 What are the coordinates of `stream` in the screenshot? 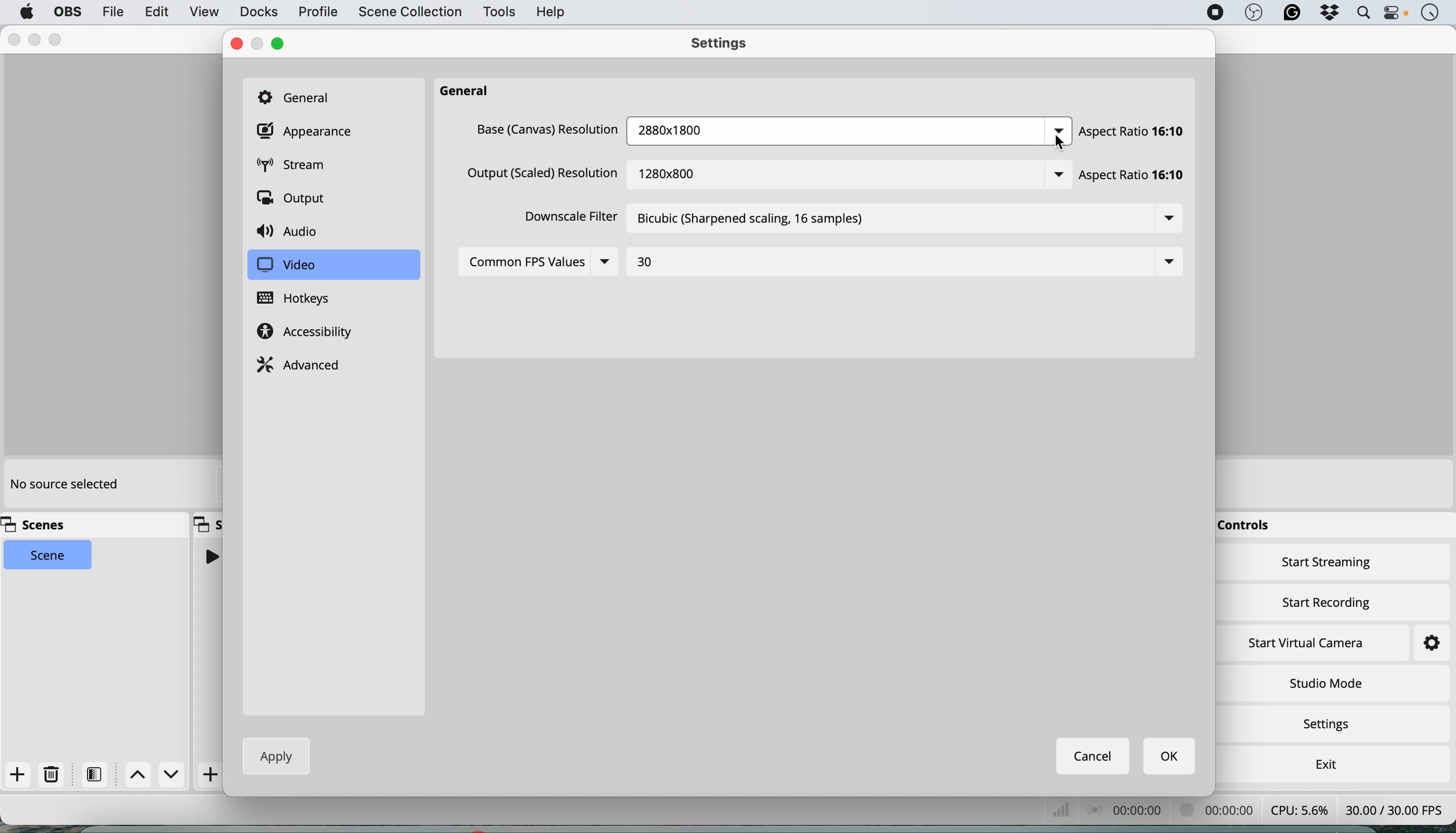 It's located at (300, 165).